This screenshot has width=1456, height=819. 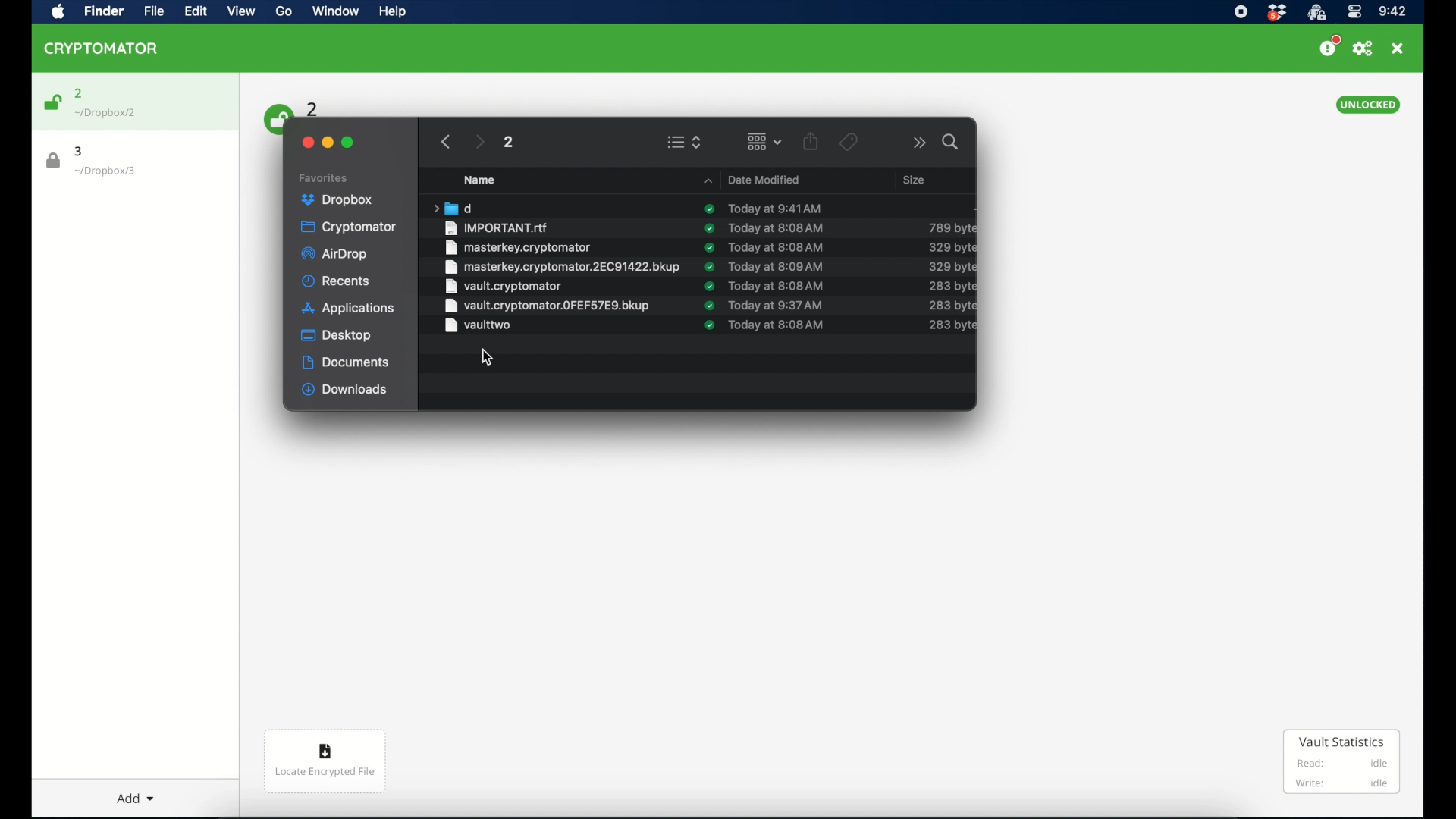 What do you see at coordinates (479, 142) in the screenshot?
I see `next` at bounding box center [479, 142].